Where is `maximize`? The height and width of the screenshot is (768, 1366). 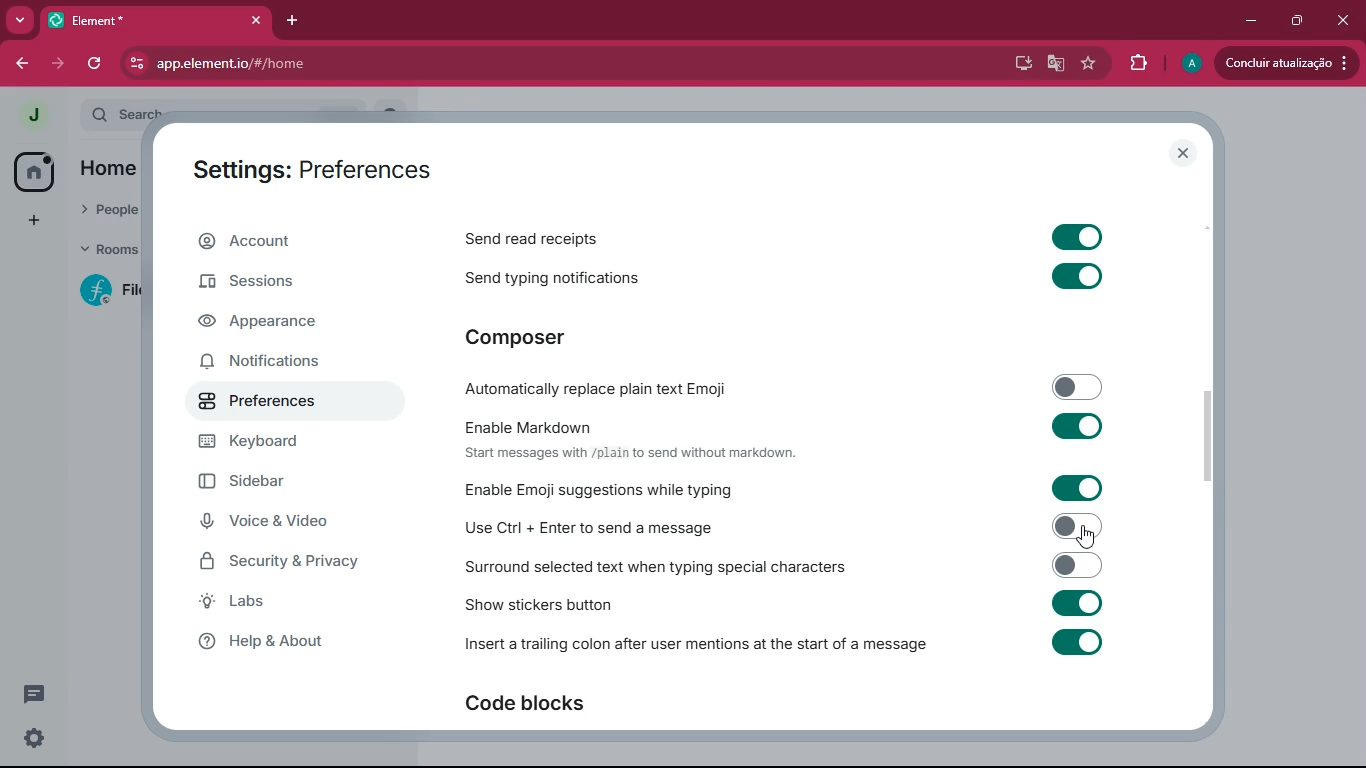
maximize is located at coordinates (1293, 21).